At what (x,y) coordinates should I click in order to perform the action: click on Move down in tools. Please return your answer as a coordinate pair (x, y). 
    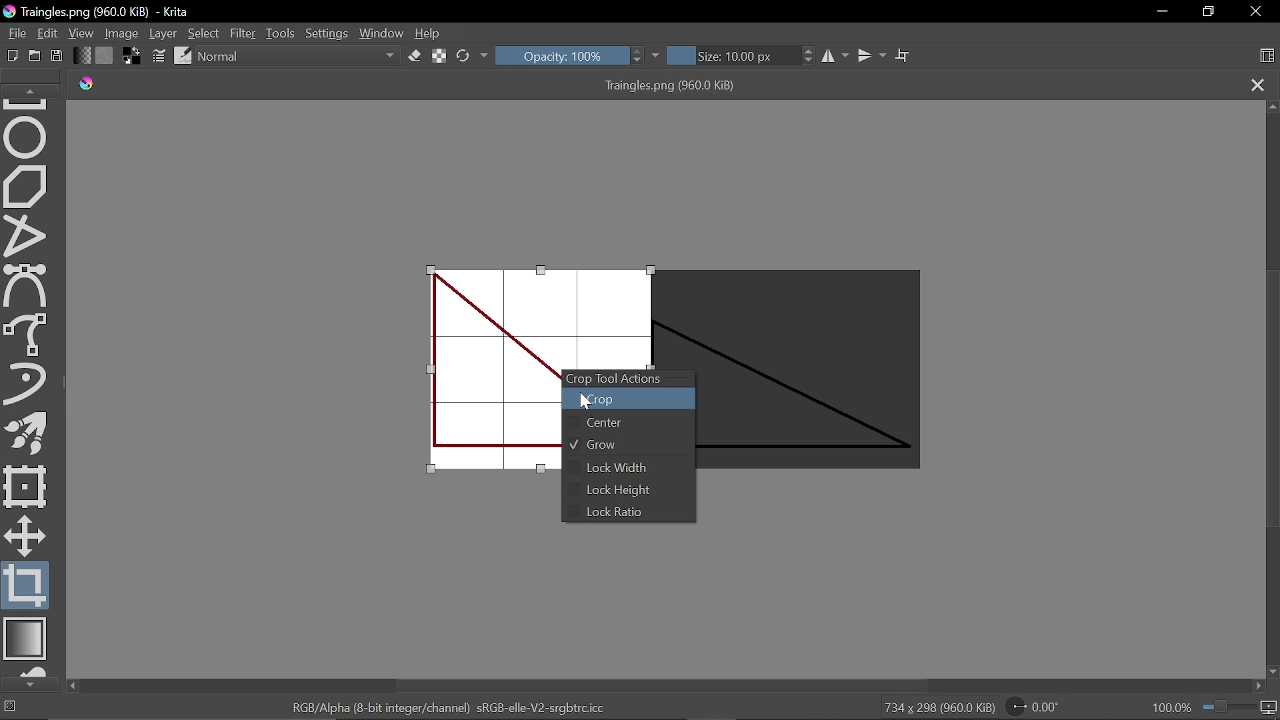
    Looking at the image, I should click on (29, 685).